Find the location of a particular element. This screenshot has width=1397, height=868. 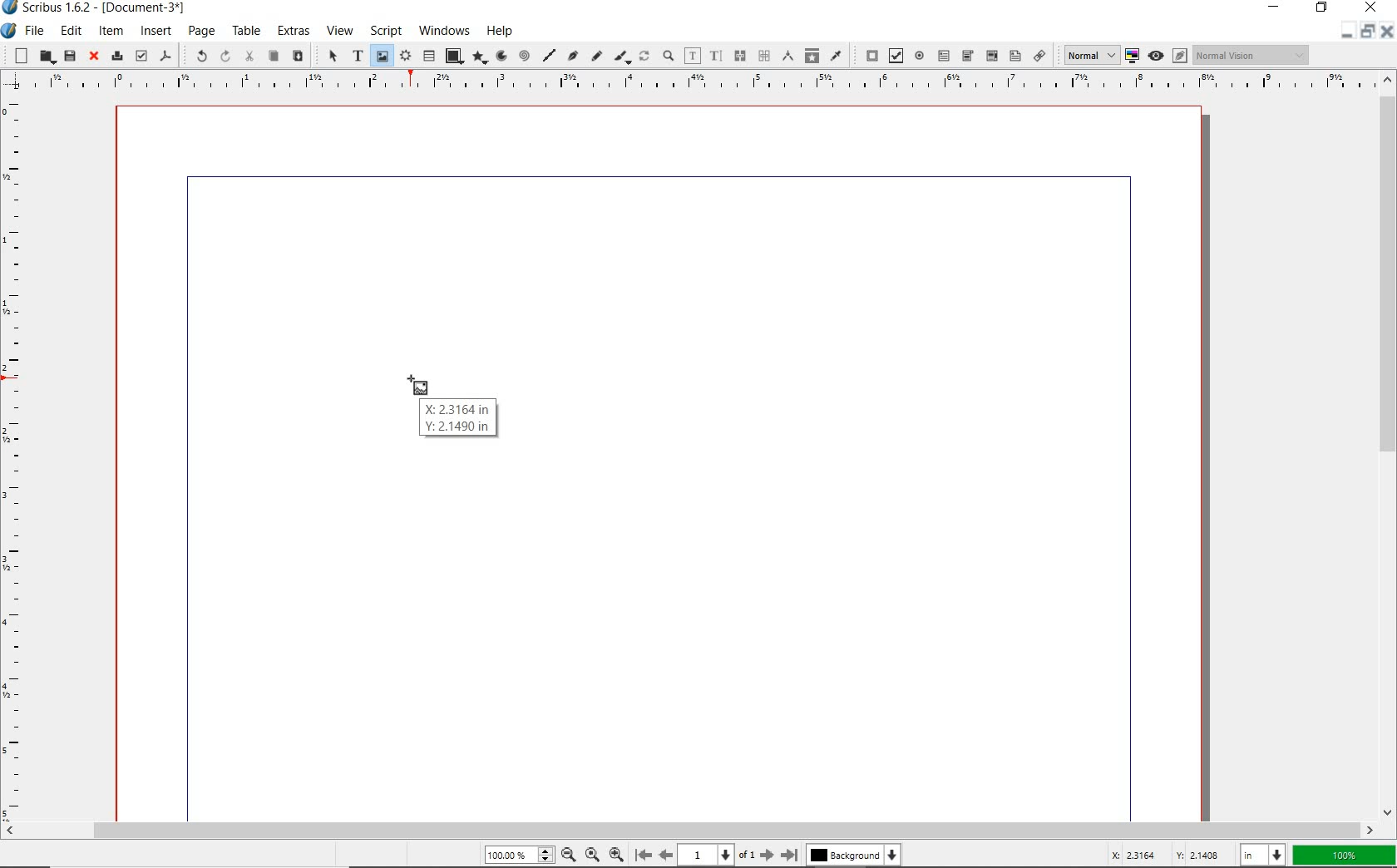

save as pdf is located at coordinates (166, 57).